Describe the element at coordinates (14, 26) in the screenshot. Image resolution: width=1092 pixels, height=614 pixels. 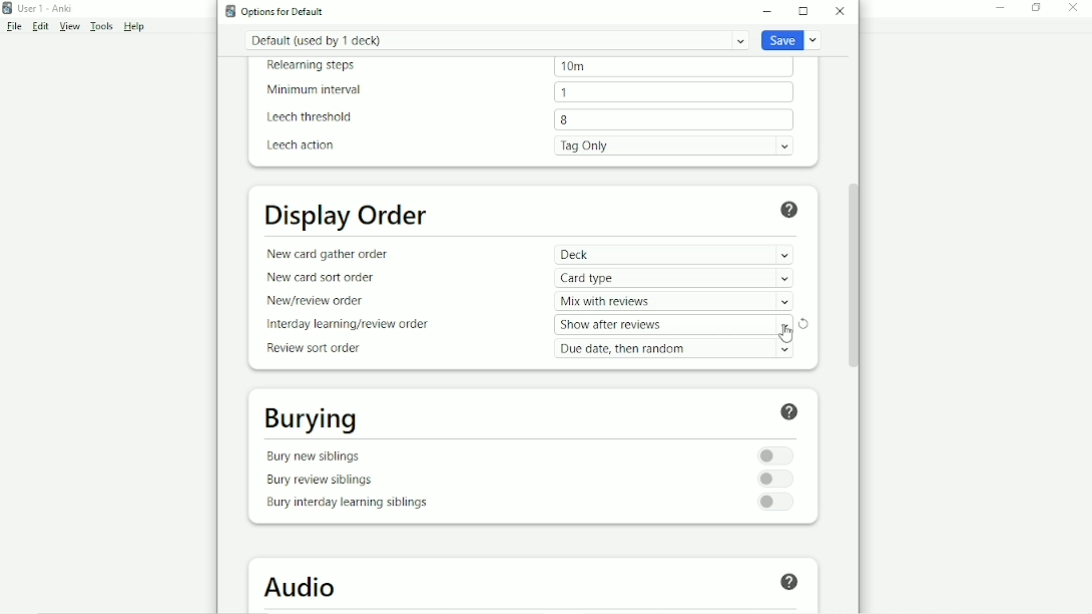
I see `File` at that location.